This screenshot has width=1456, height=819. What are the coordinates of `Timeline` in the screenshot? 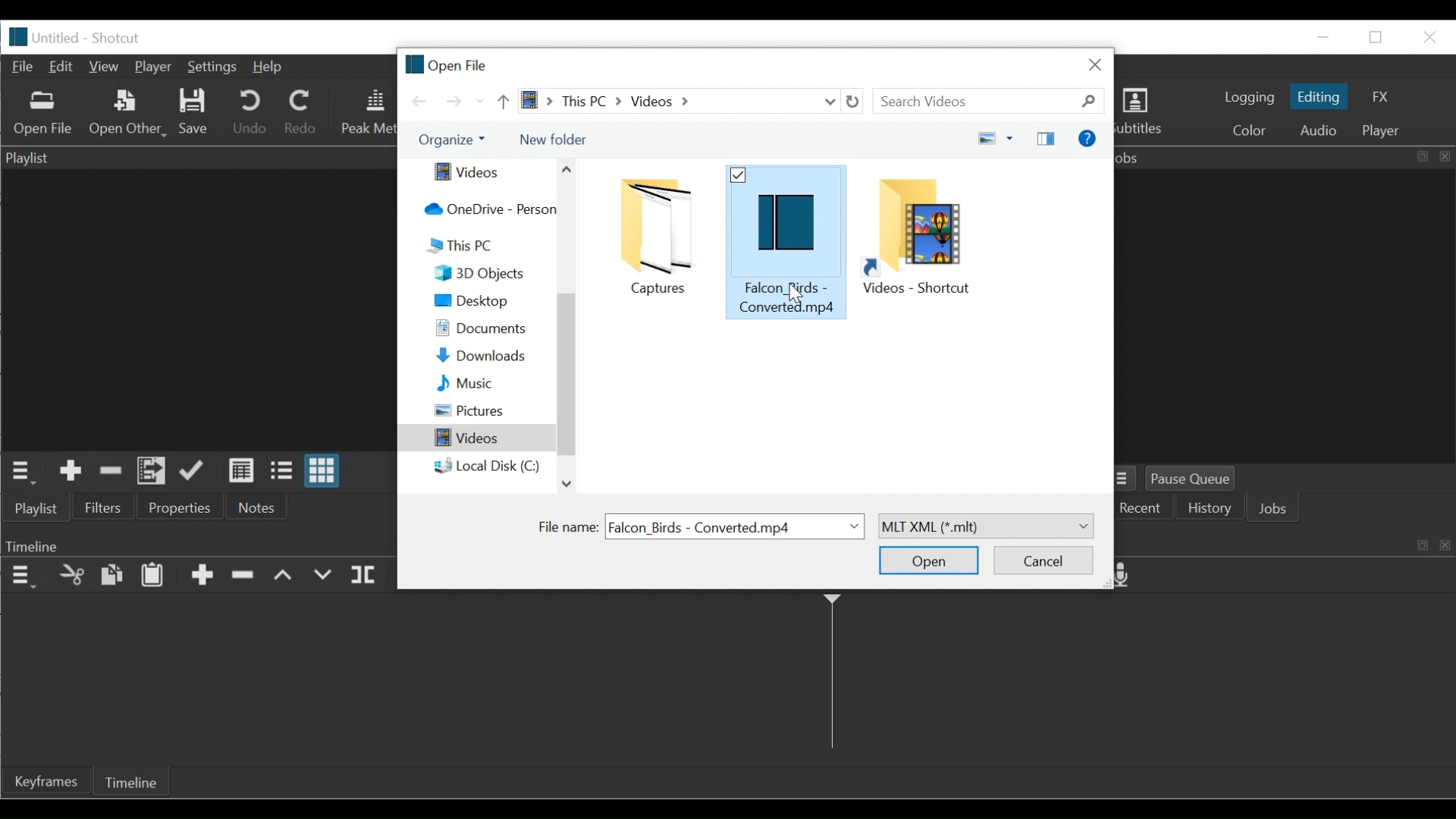 It's located at (130, 781).